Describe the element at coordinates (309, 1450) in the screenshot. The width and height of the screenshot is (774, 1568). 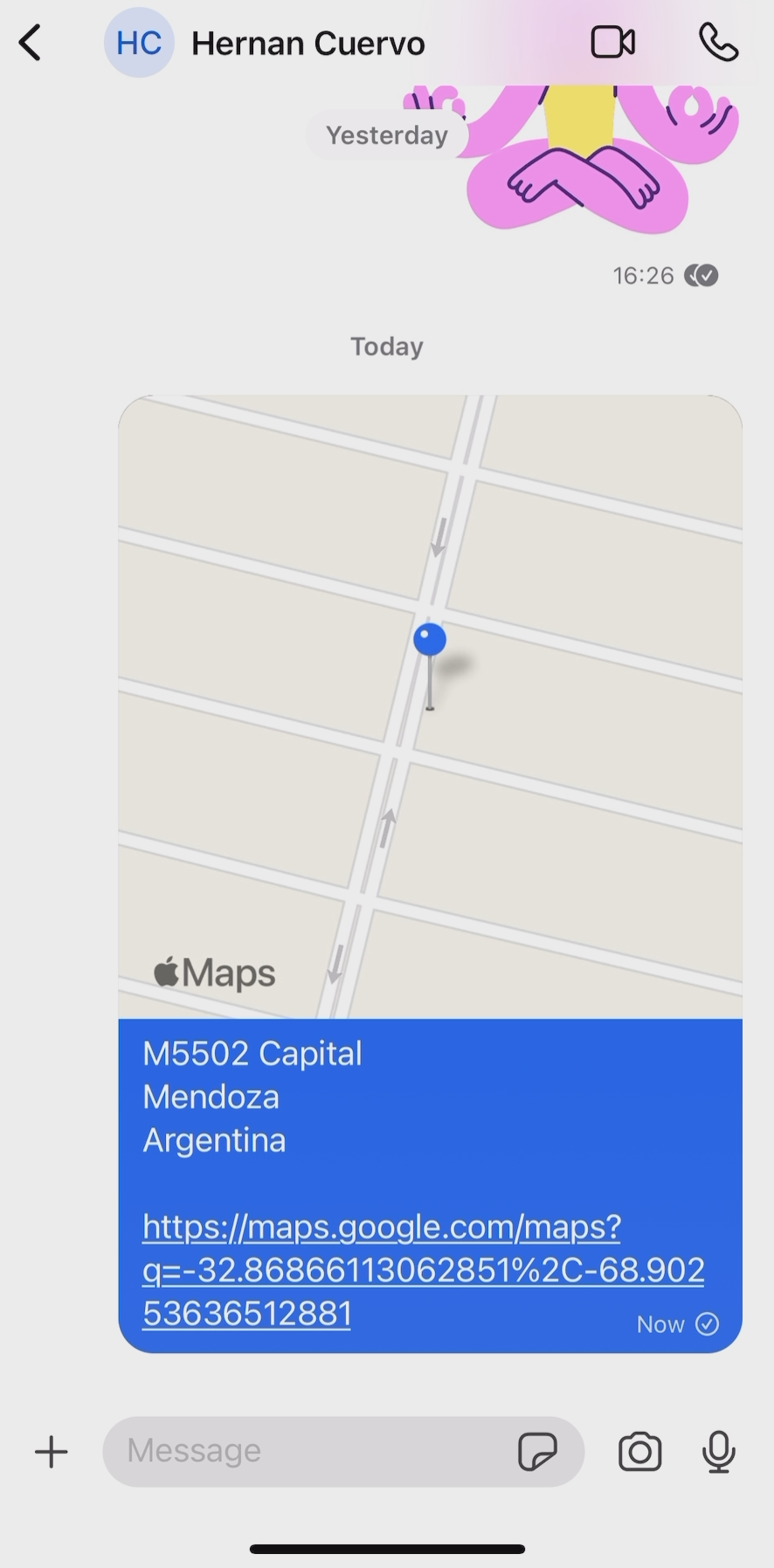
I see `message bar` at that location.